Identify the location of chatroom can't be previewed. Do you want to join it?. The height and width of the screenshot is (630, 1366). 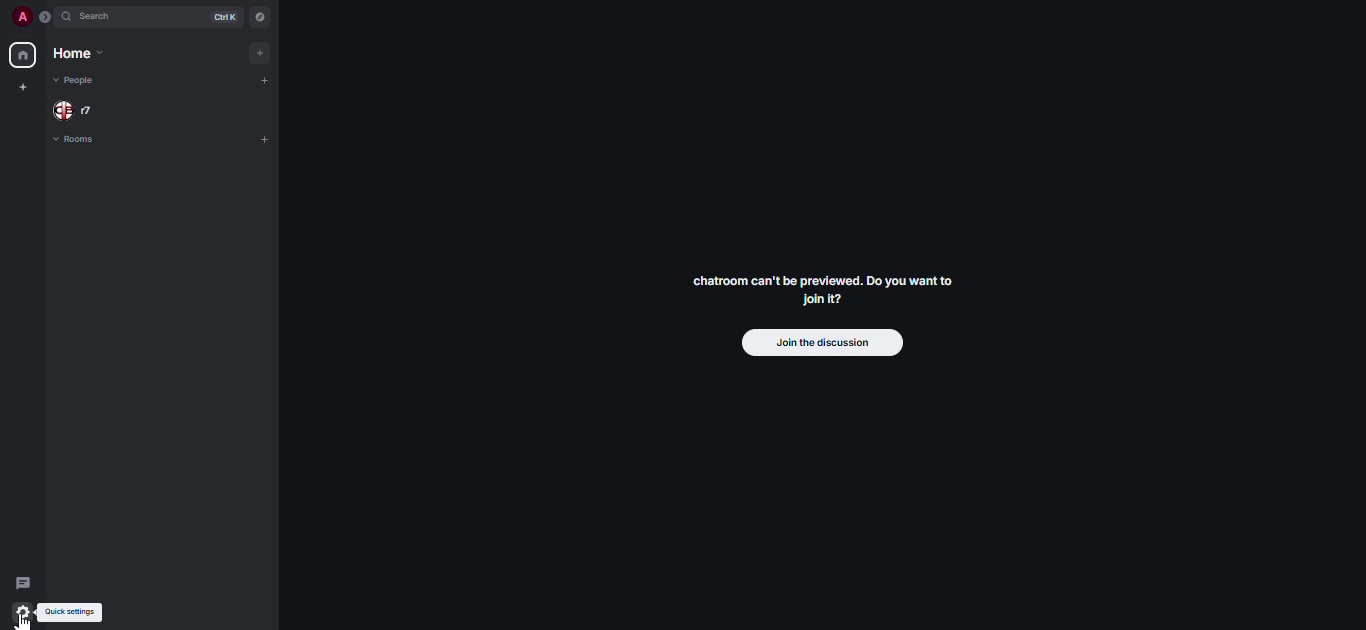
(825, 288).